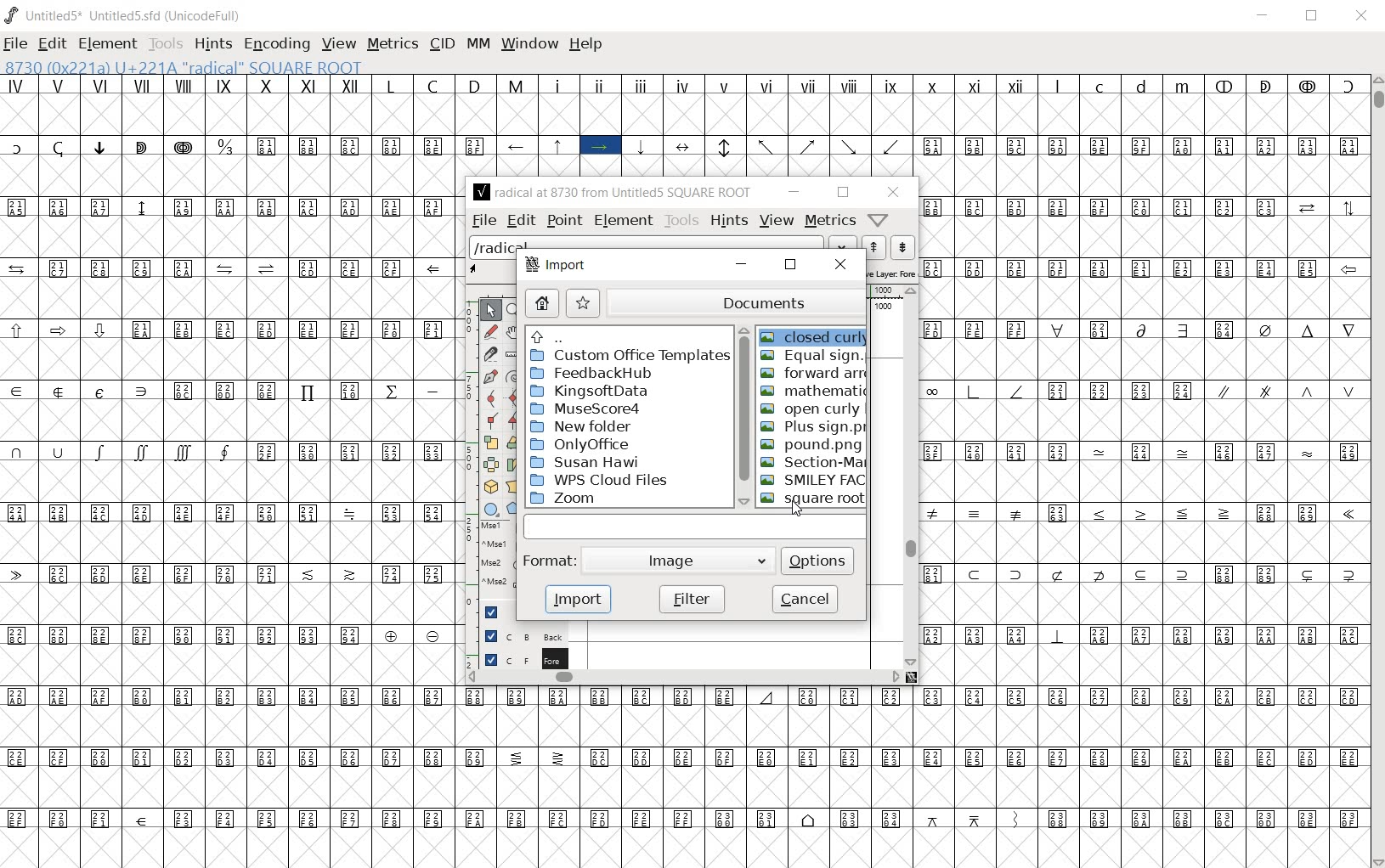 The image size is (1385, 868). I want to click on open curly, so click(811, 408).